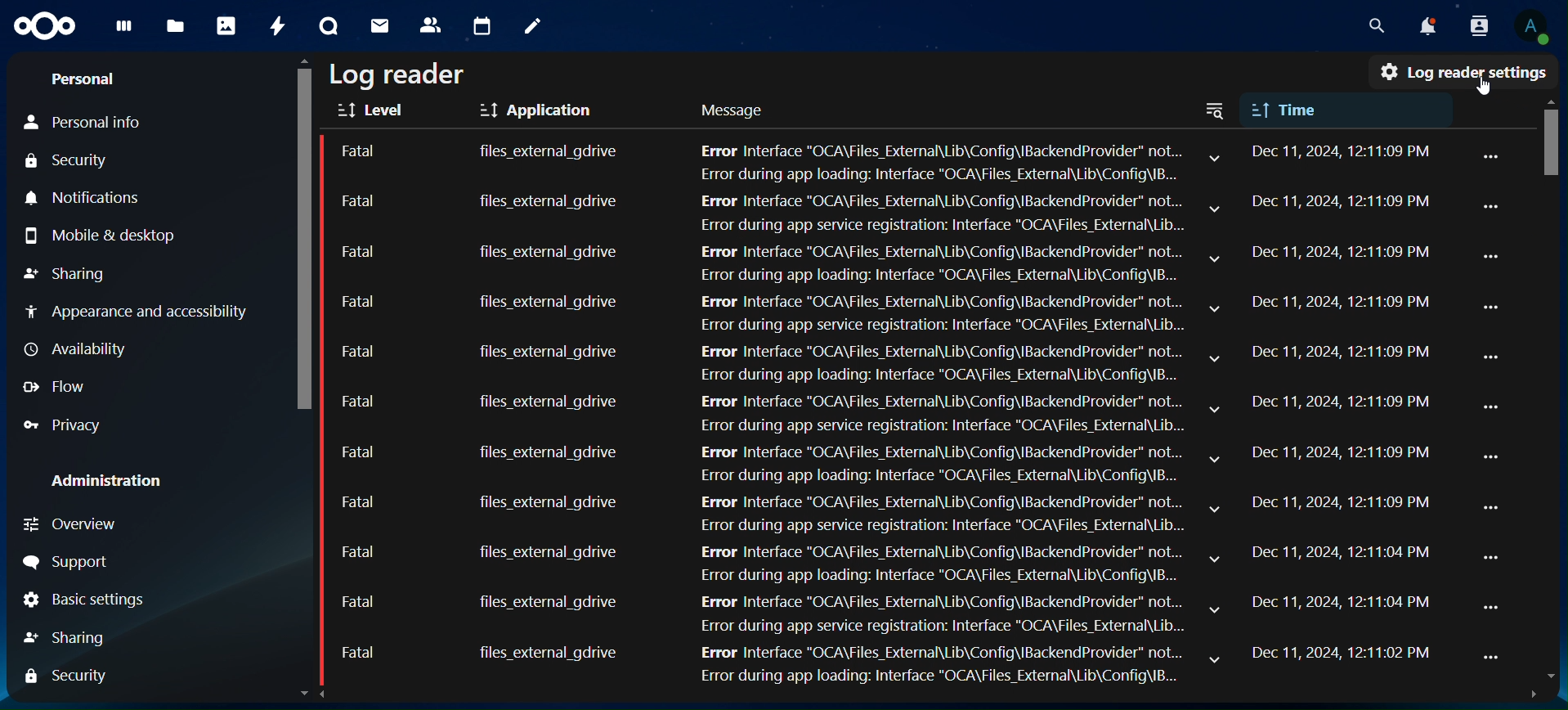 The height and width of the screenshot is (710, 1568). I want to click on search, so click(1374, 26).